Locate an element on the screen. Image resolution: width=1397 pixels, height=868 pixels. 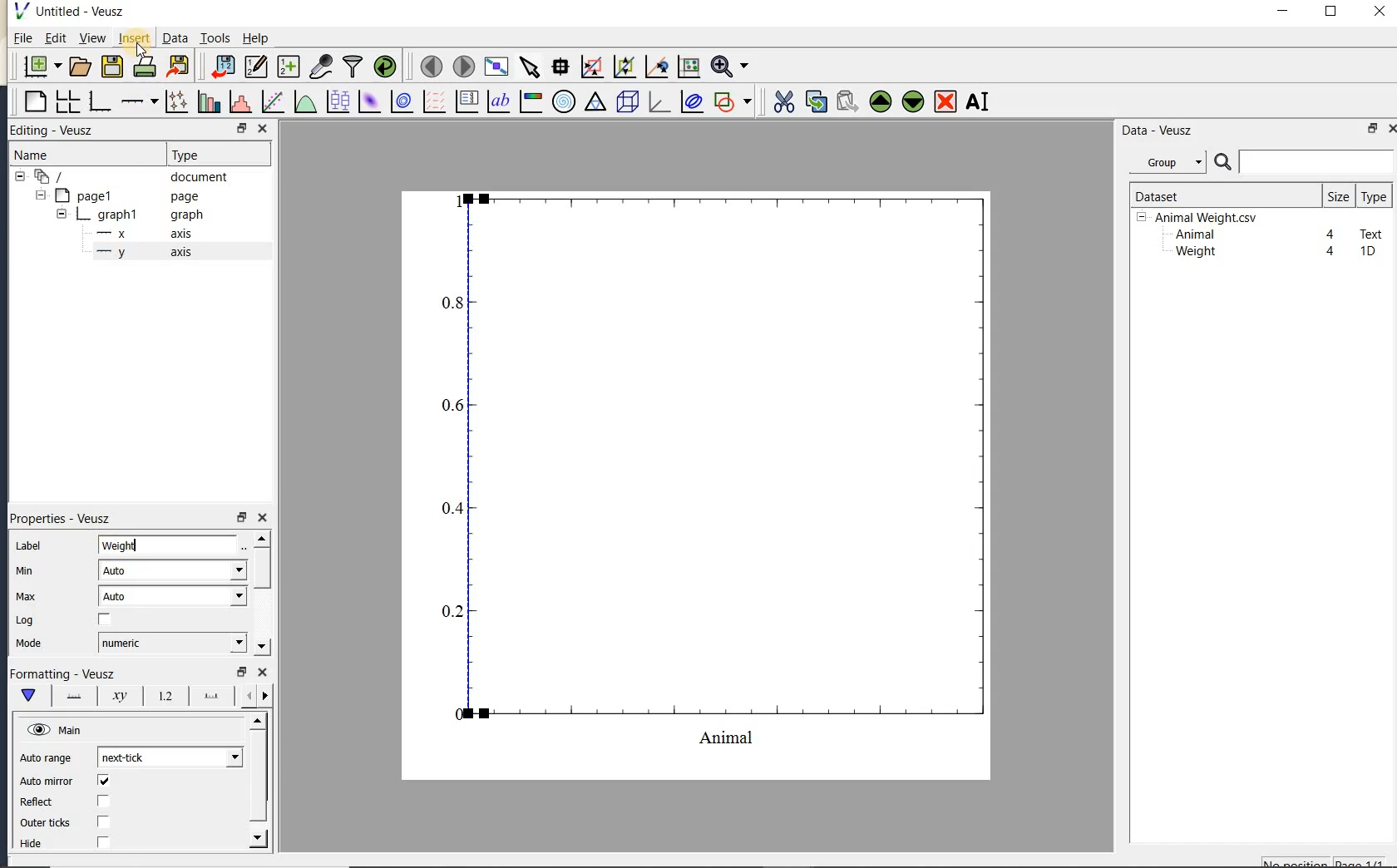
scrollbar is located at coordinates (260, 593).